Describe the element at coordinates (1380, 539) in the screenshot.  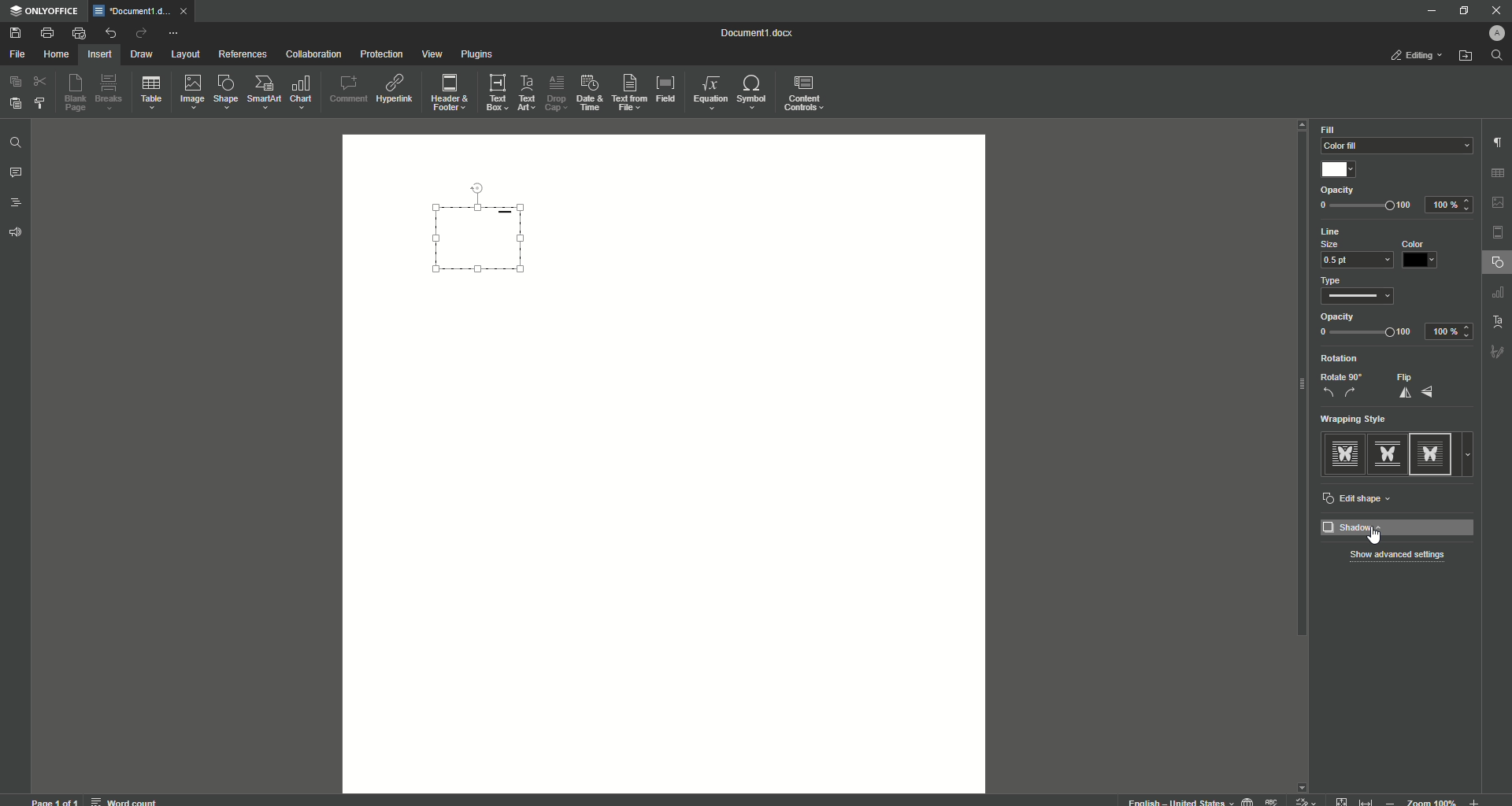
I see `cursor` at that location.